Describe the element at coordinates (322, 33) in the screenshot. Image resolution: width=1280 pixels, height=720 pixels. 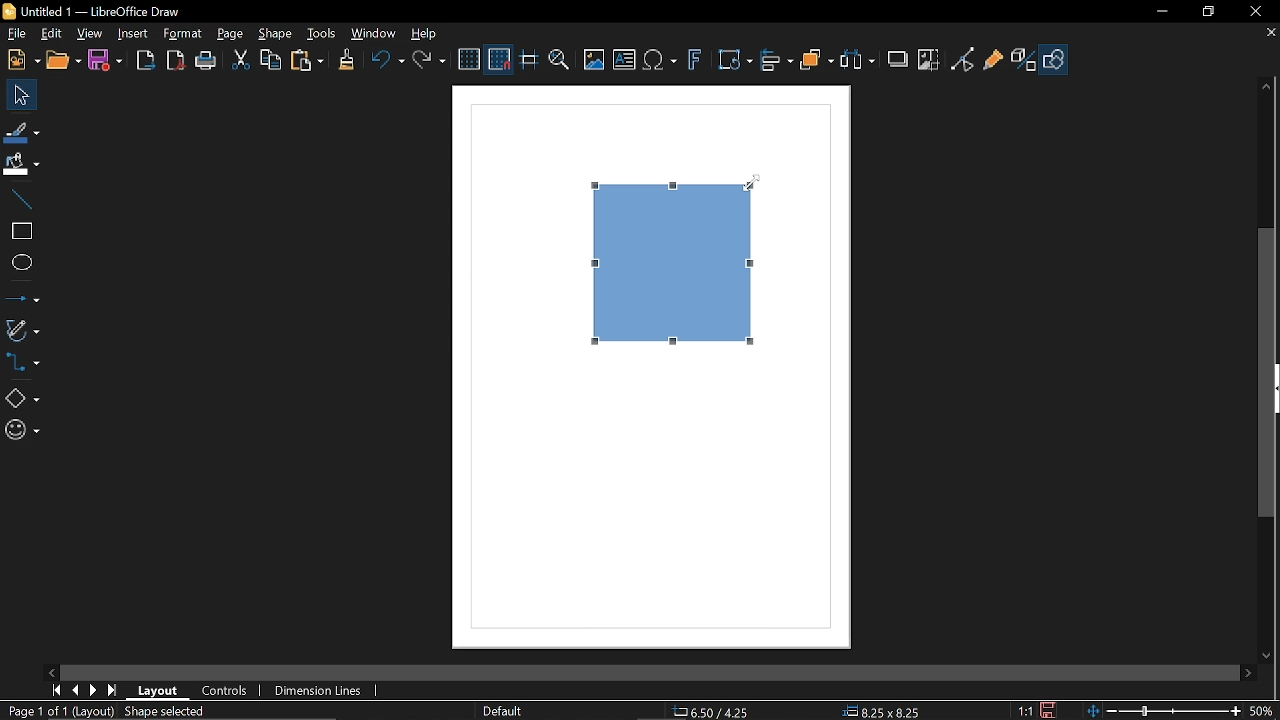
I see `Tools` at that location.